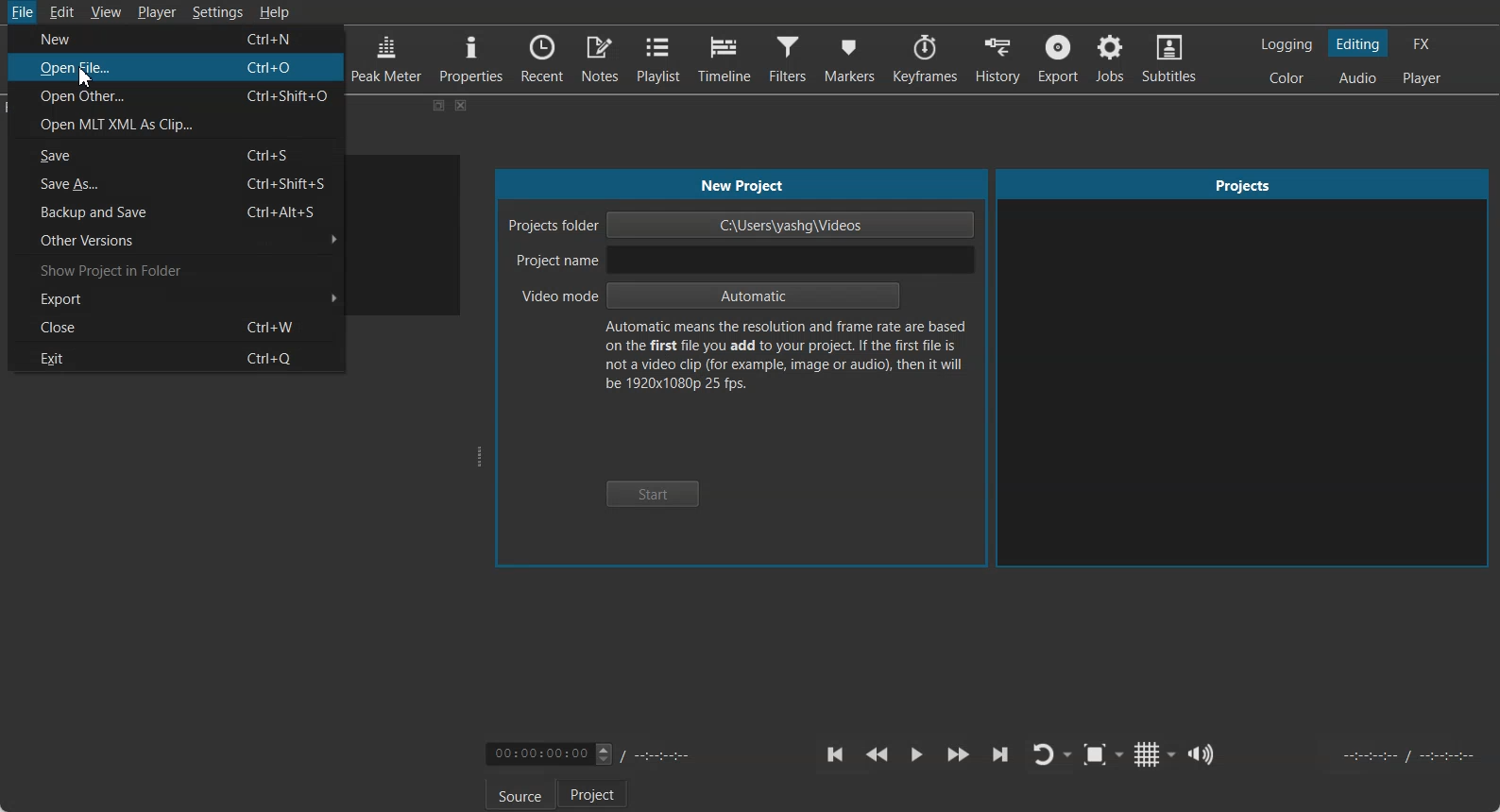  What do you see at coordinates (851, 58) in the screenshot?
I see `Markers` at bounding box center [851, 58].